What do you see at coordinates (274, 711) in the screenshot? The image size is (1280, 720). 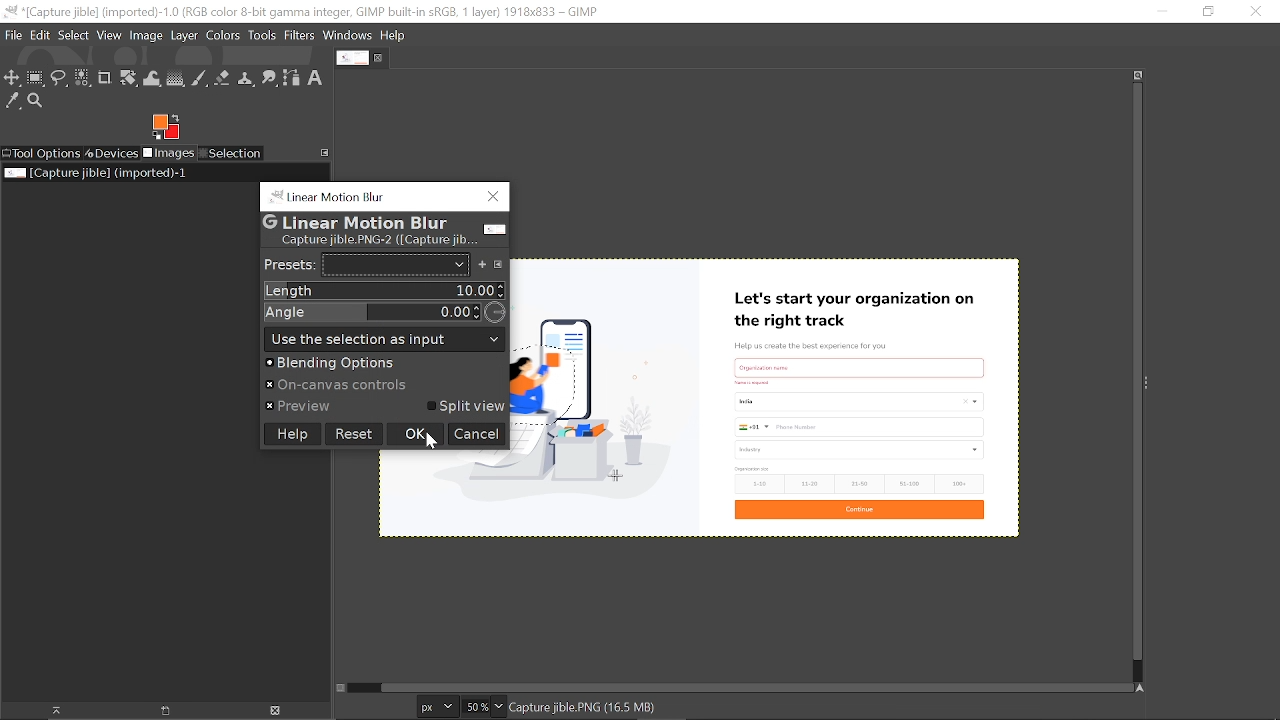 I see `Delete` at bounding box center [274, 711].